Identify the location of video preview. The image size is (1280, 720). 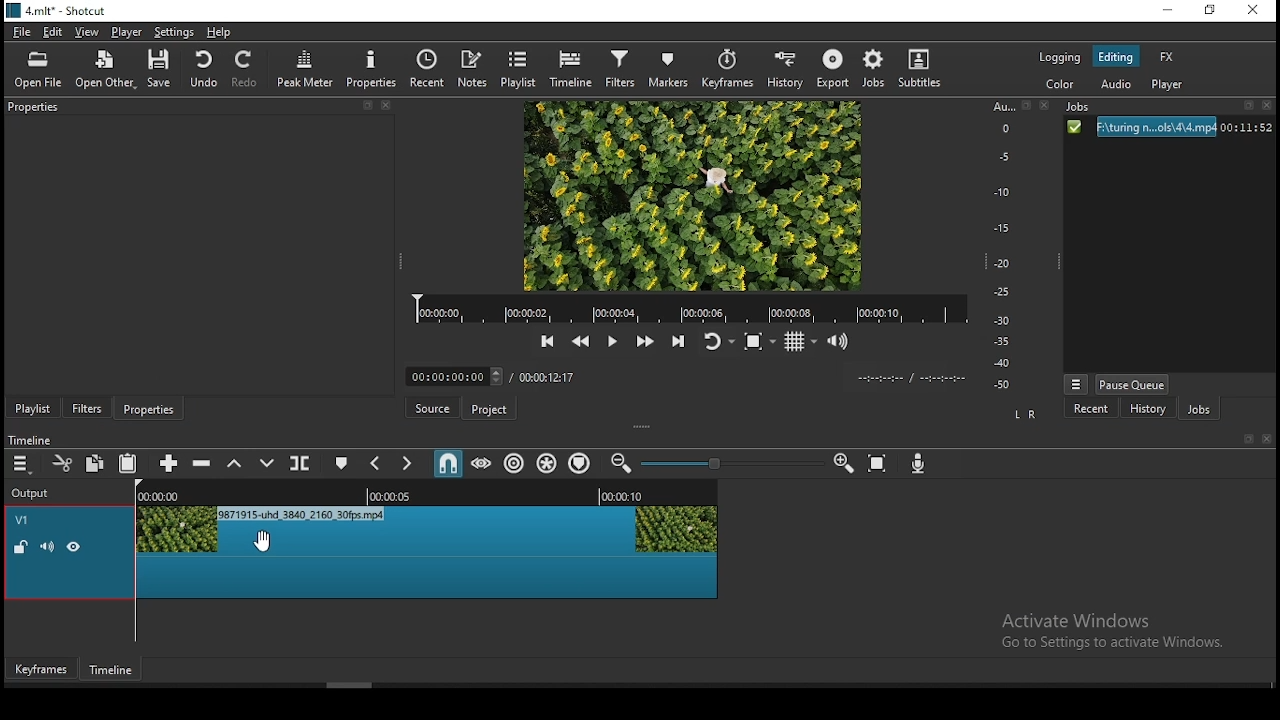
(690, 196).